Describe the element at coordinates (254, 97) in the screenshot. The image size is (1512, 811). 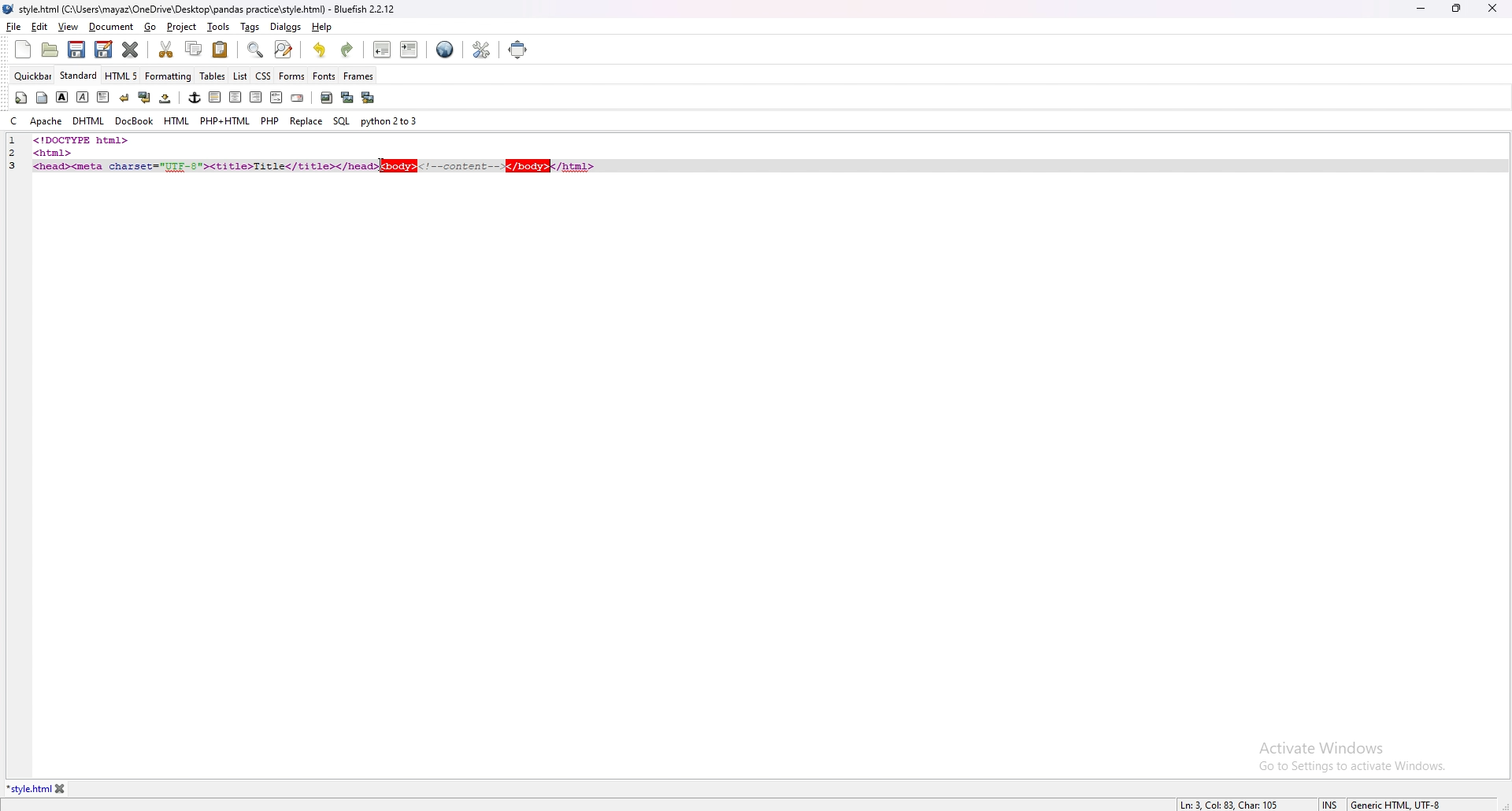
I see `right indent` at that location.